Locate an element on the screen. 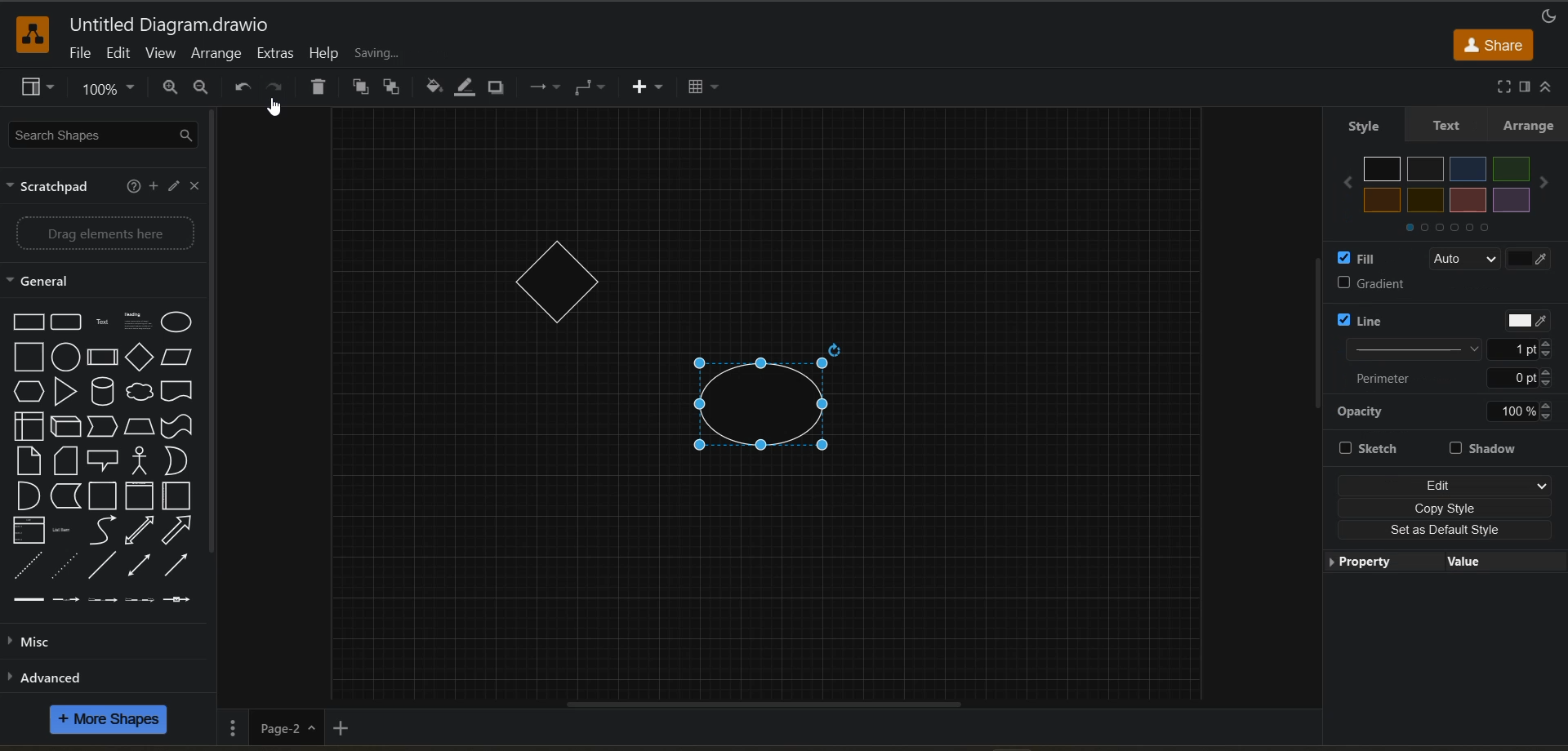 This screenshot has width=1568, height=751. view is located at coordinates (42, 89).